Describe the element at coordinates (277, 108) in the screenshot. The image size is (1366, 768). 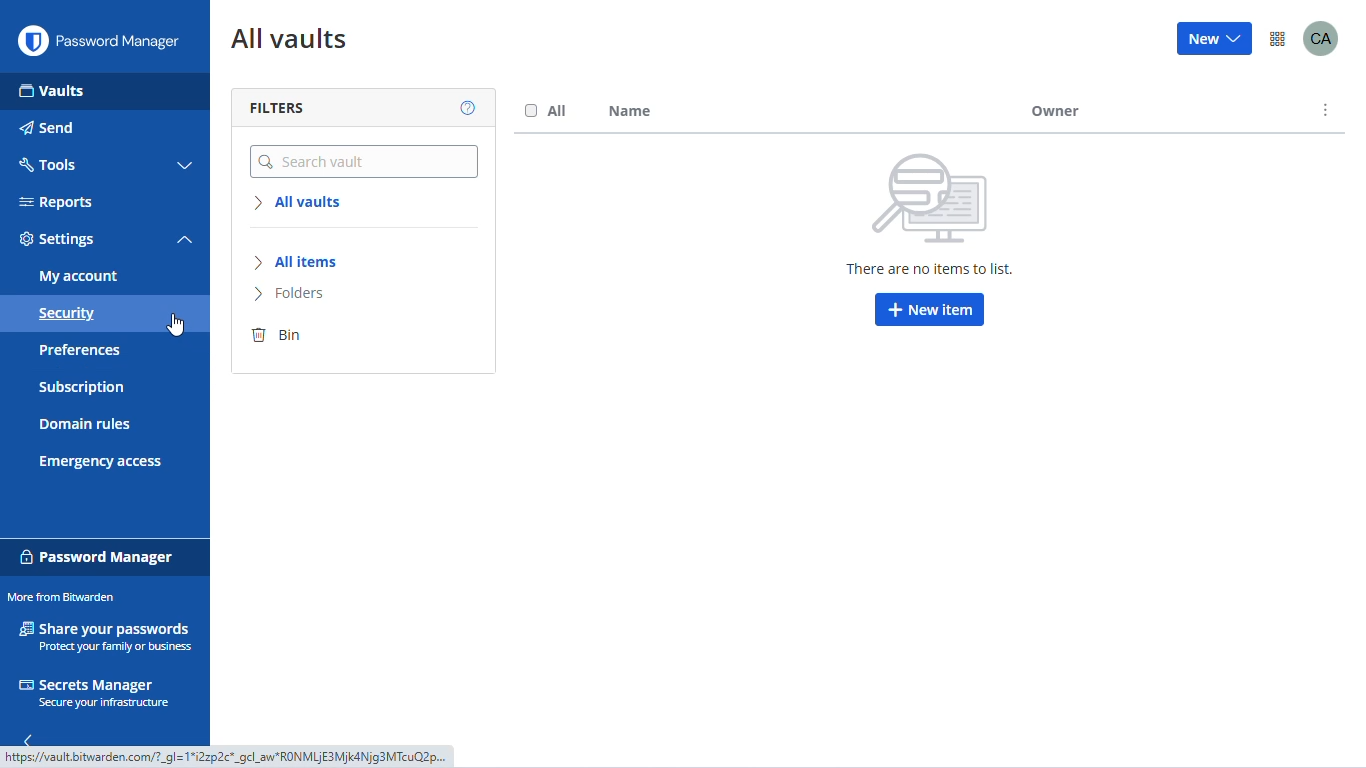
I see `filters` at that location.